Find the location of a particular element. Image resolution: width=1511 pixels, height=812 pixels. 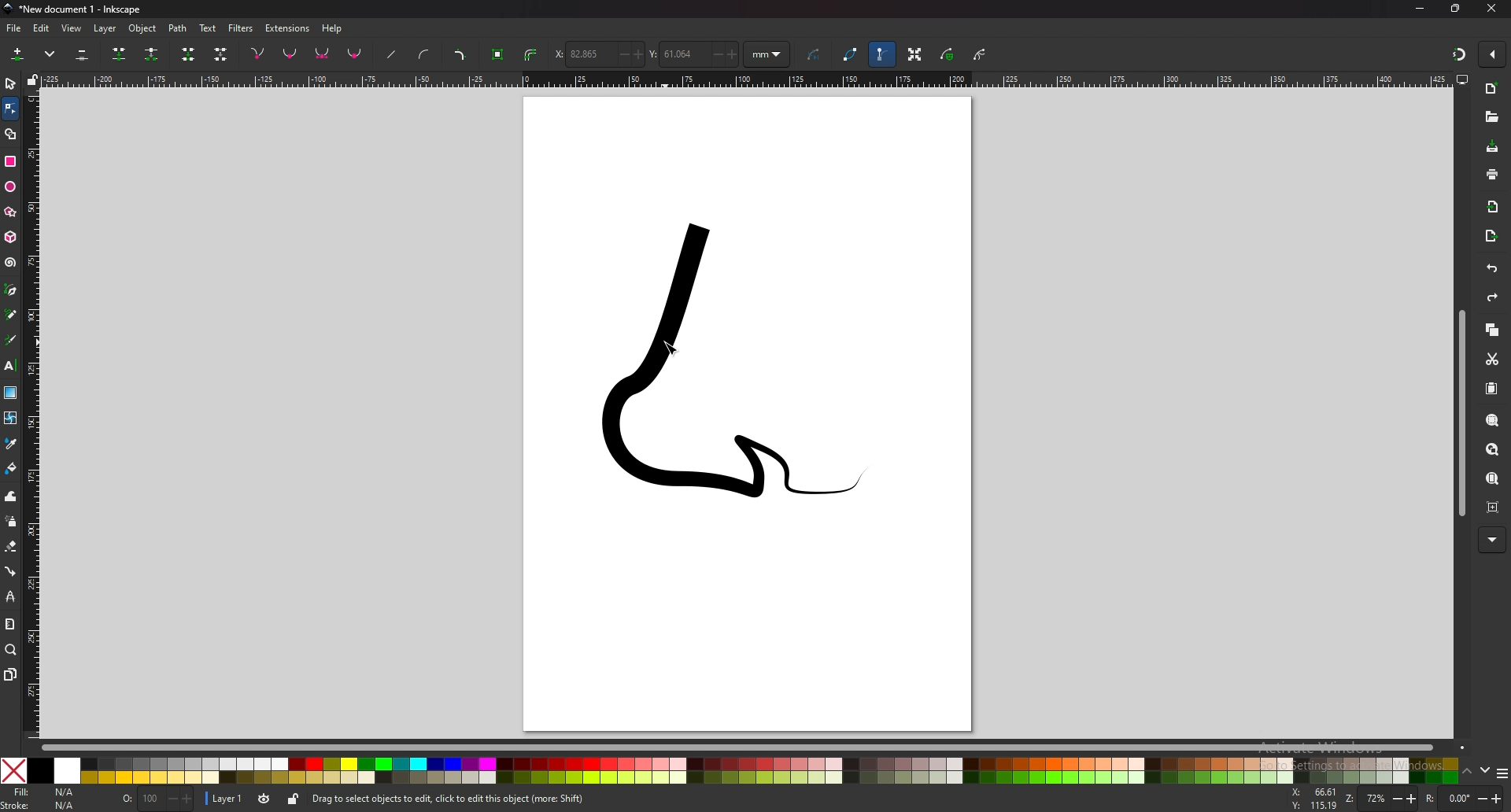

undo is located at coordinates (1489, 269).